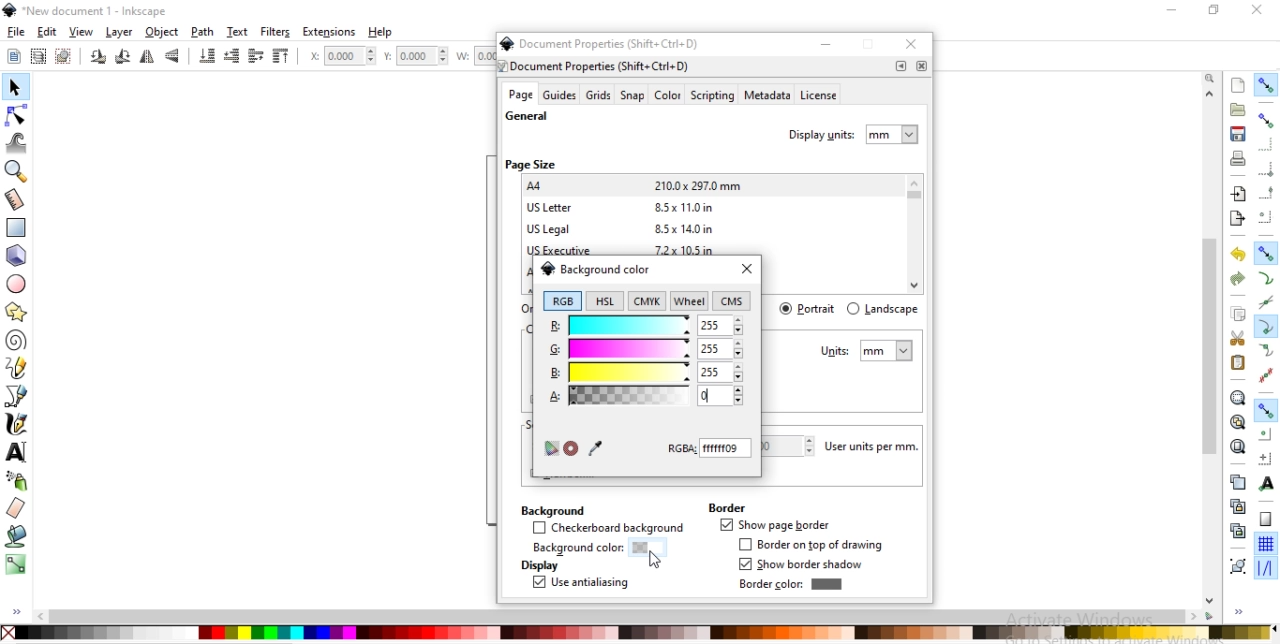 The width and height of the screenshot is (1280, 644). What do you see at coordinates (17, 394) in the screenshot?
I see `draw bezier curves and straight lines` at bounding box center [17, 394].